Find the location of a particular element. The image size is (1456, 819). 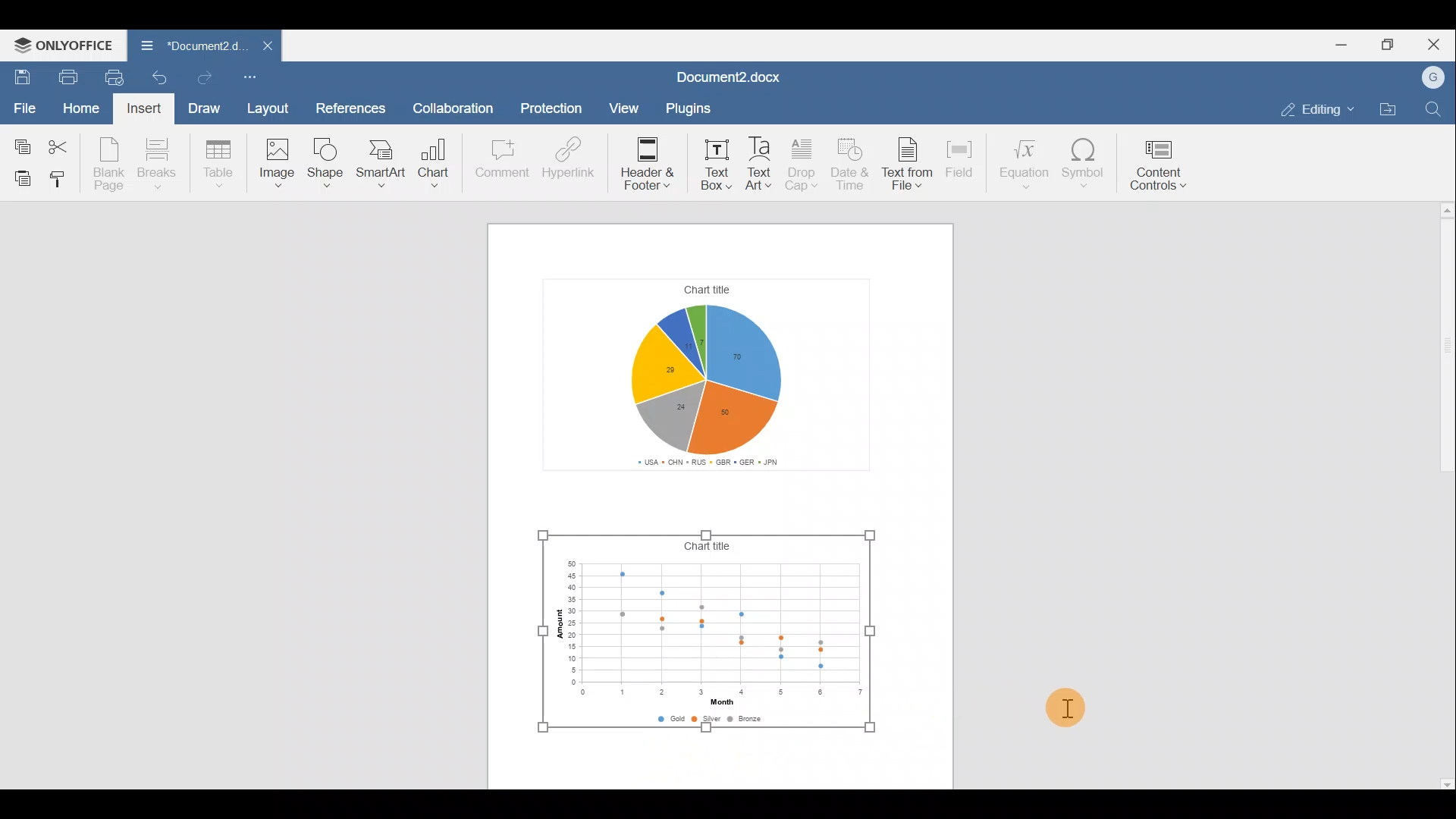

View is located at coordinates (619, 109).